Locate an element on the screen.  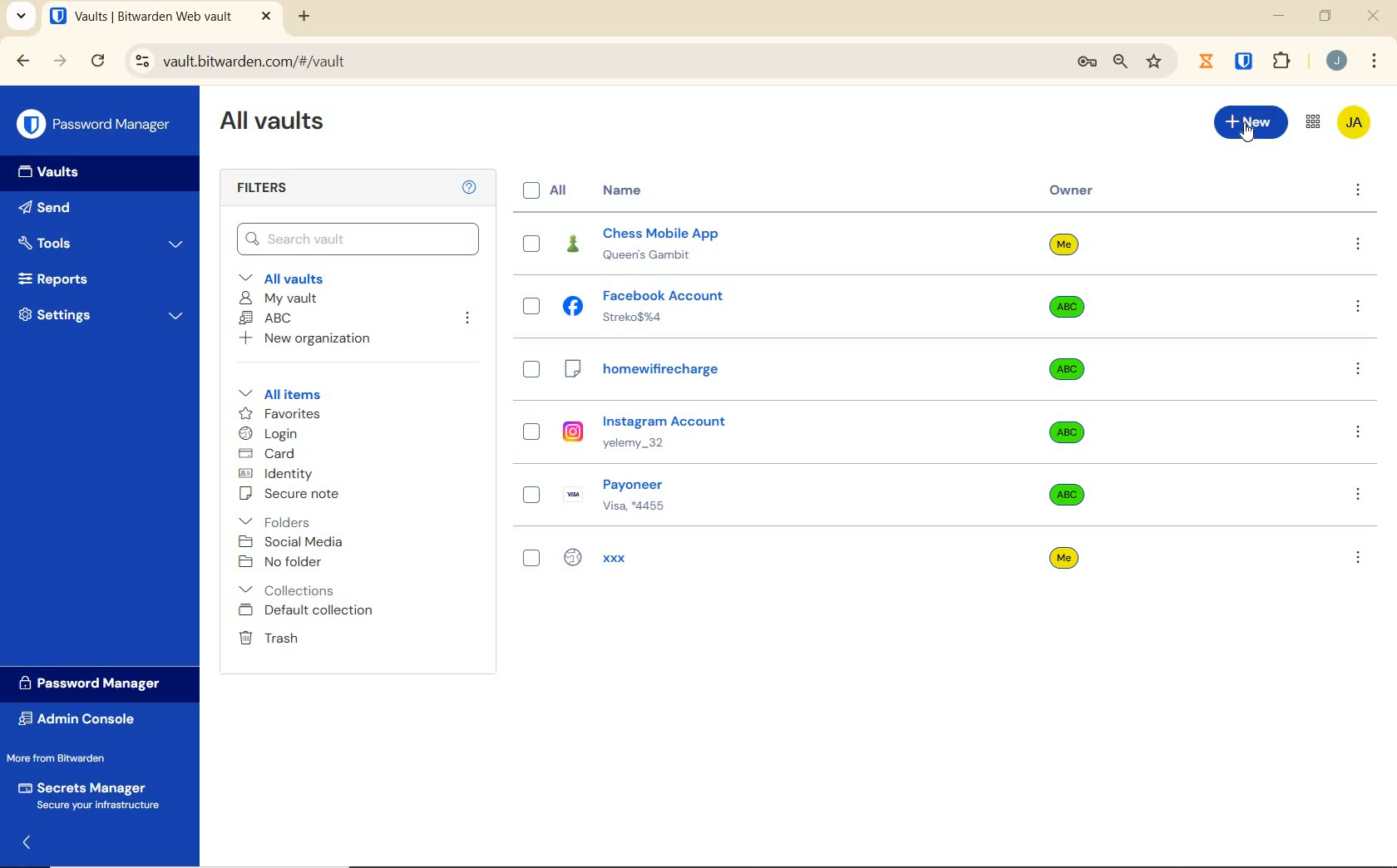
open tab is located at coordinates (160, 17).